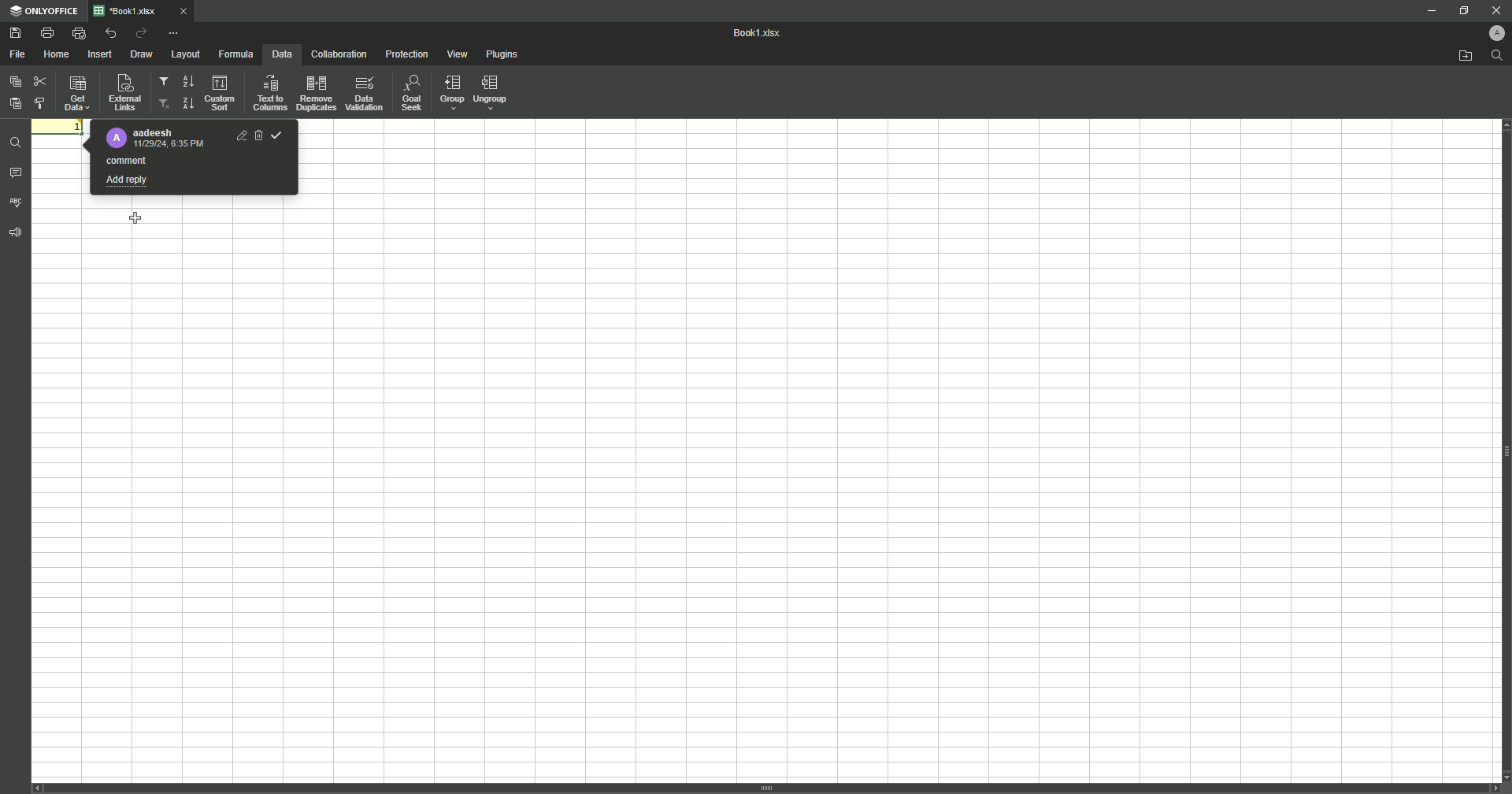 Image resolution: width=1512 pixels, height=794 pixels. What do you see at coordinates (123, 92) in the screenshot?
I see `External Links` at bounding box center [123, 92].